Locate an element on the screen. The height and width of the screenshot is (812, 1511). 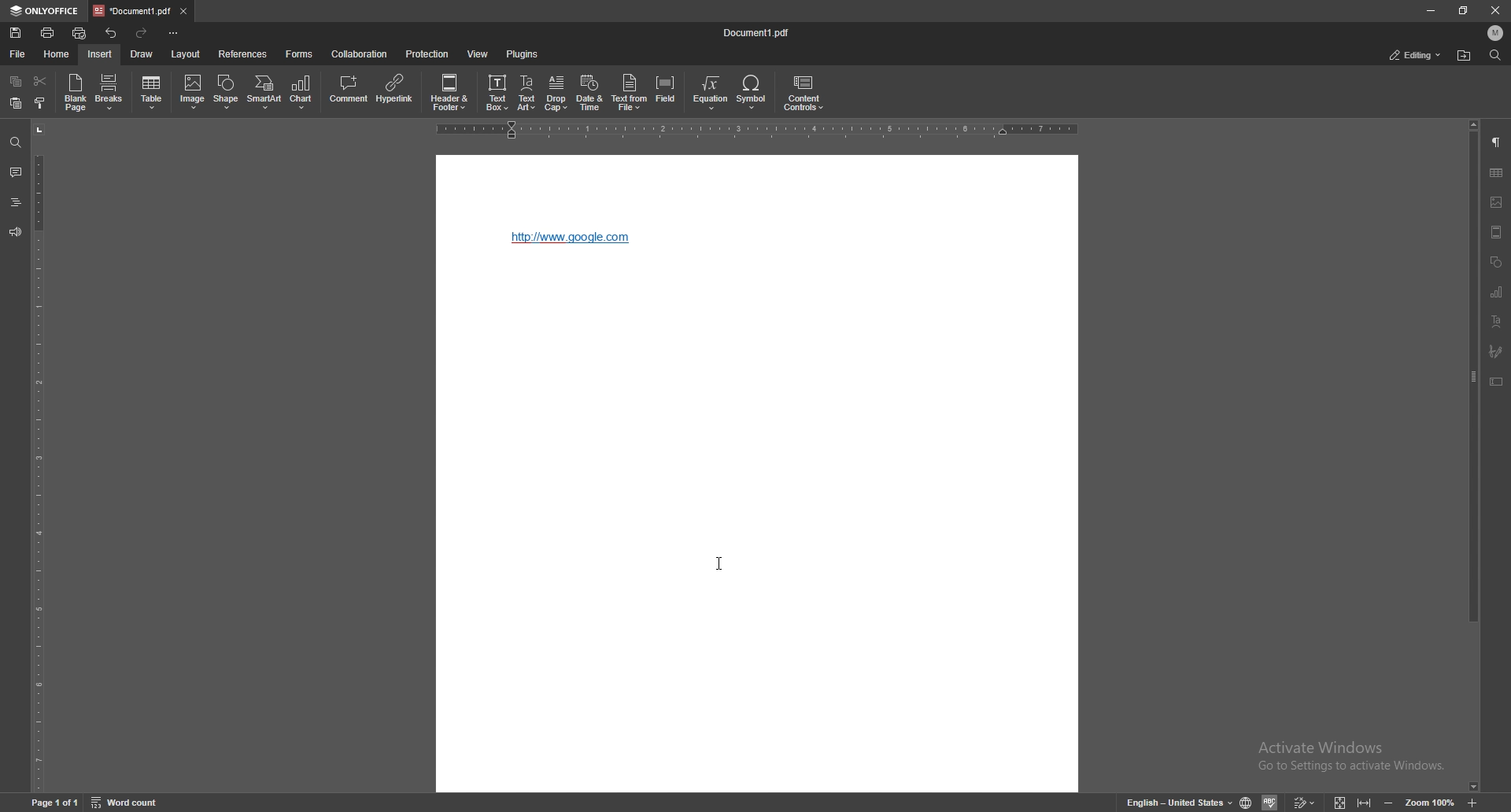
charts is located at coordinates (1498, 291).